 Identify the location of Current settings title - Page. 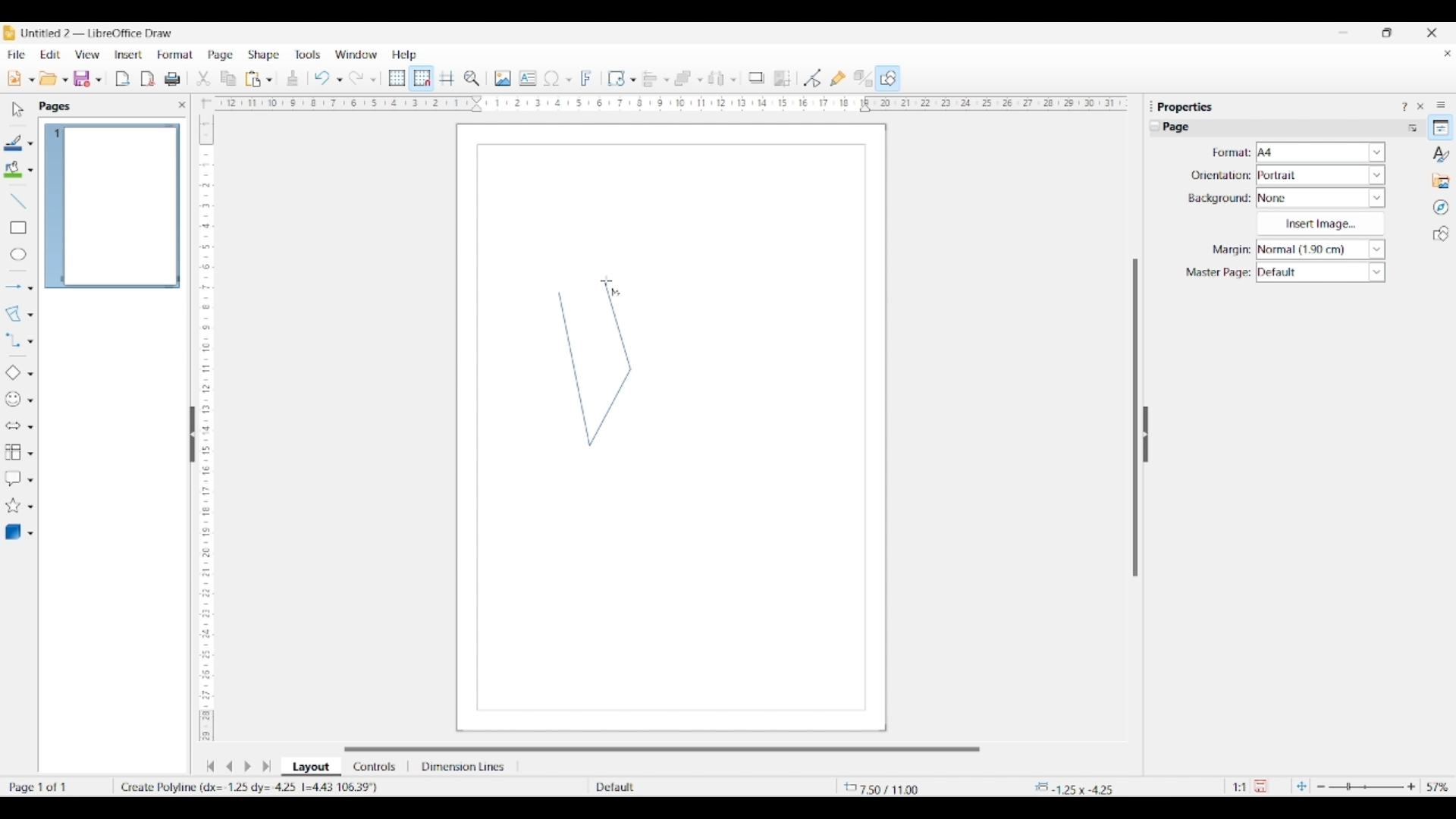
(1183, 129).